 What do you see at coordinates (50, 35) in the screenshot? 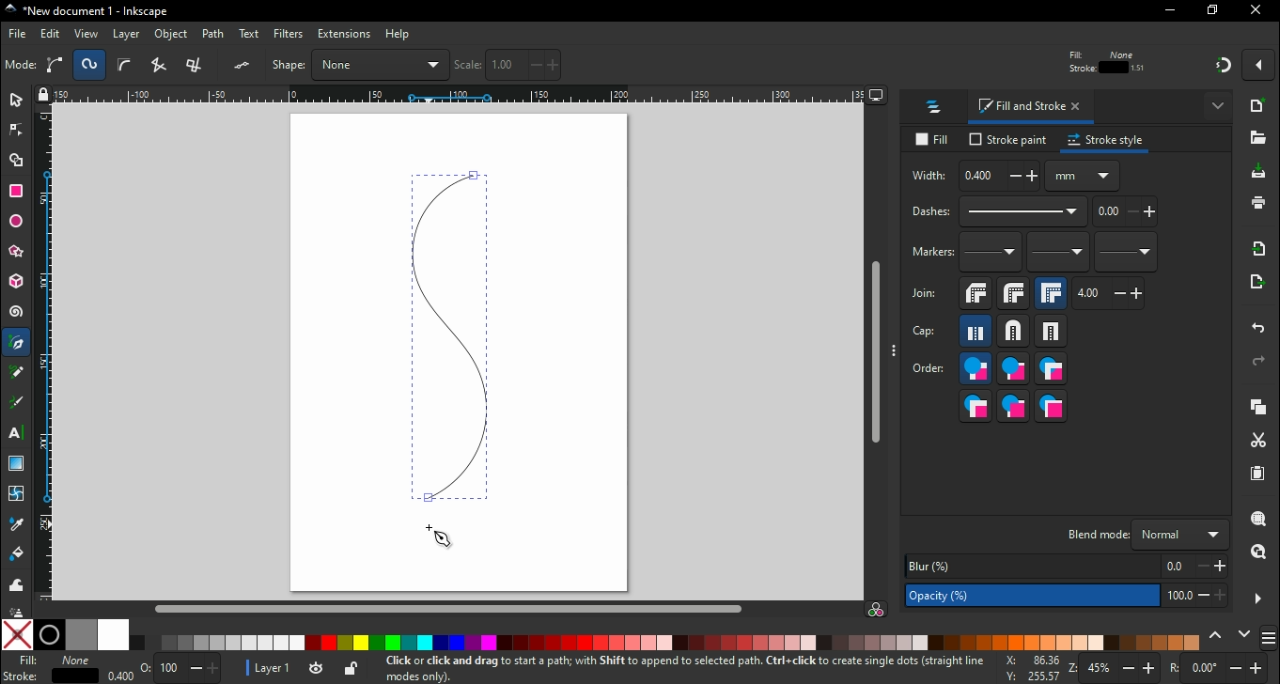
I see `edit` at bounding box center [50, 35].